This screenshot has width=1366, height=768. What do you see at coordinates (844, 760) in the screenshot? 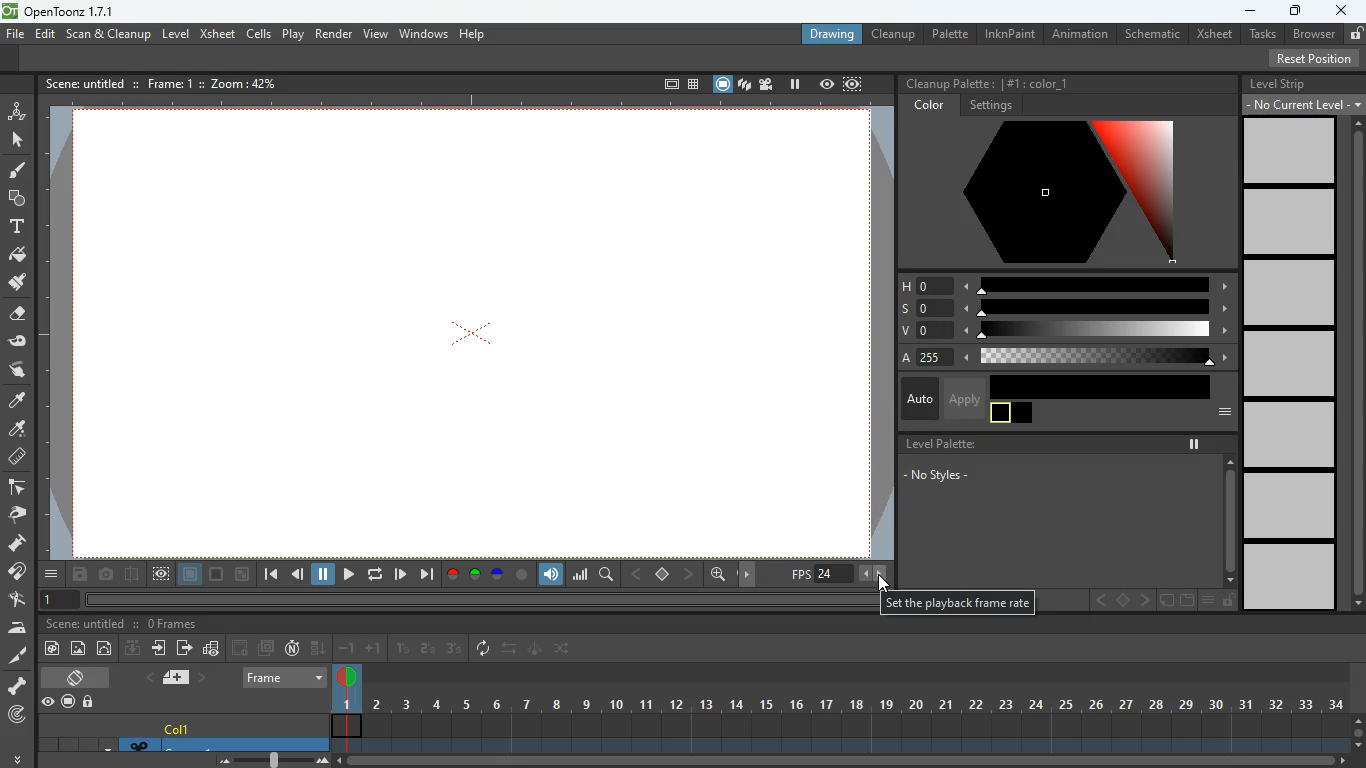
I see `scroll bar` at bounding box center [844, 760].